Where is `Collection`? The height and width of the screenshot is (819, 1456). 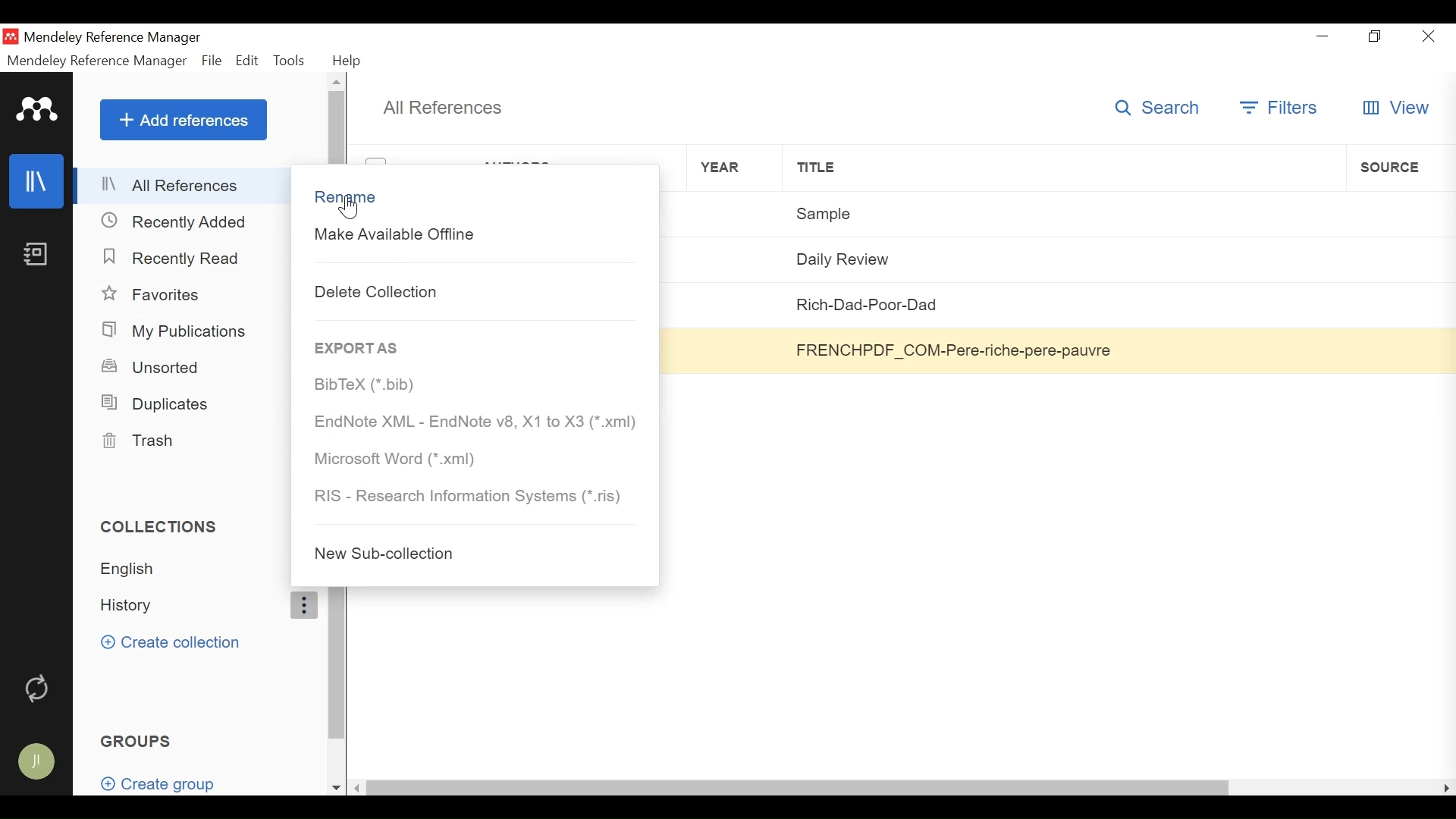 Collection is located at coordinates (187, 569).